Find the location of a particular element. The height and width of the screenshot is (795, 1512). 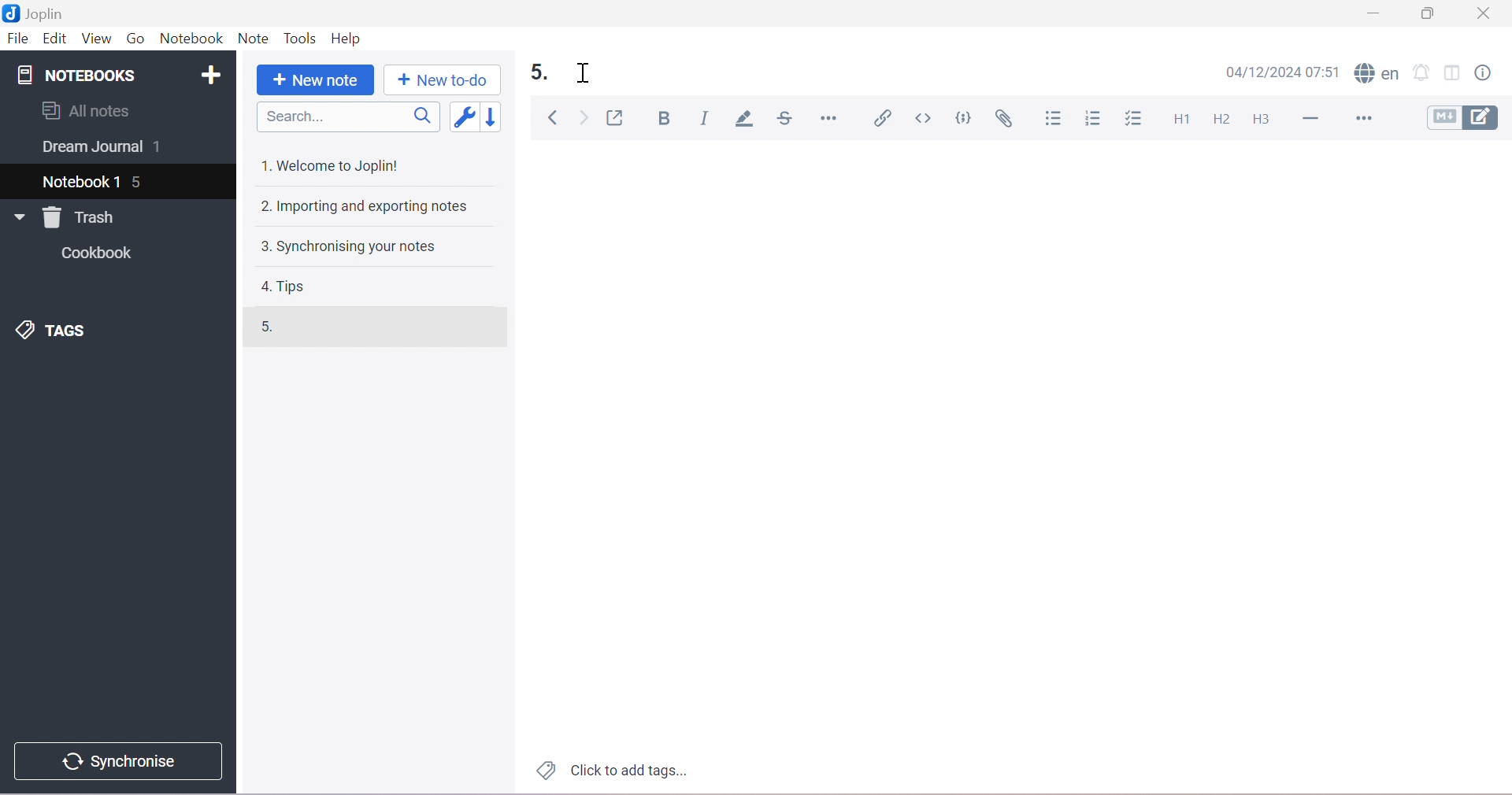

1 is located at coordinates (162, 148).